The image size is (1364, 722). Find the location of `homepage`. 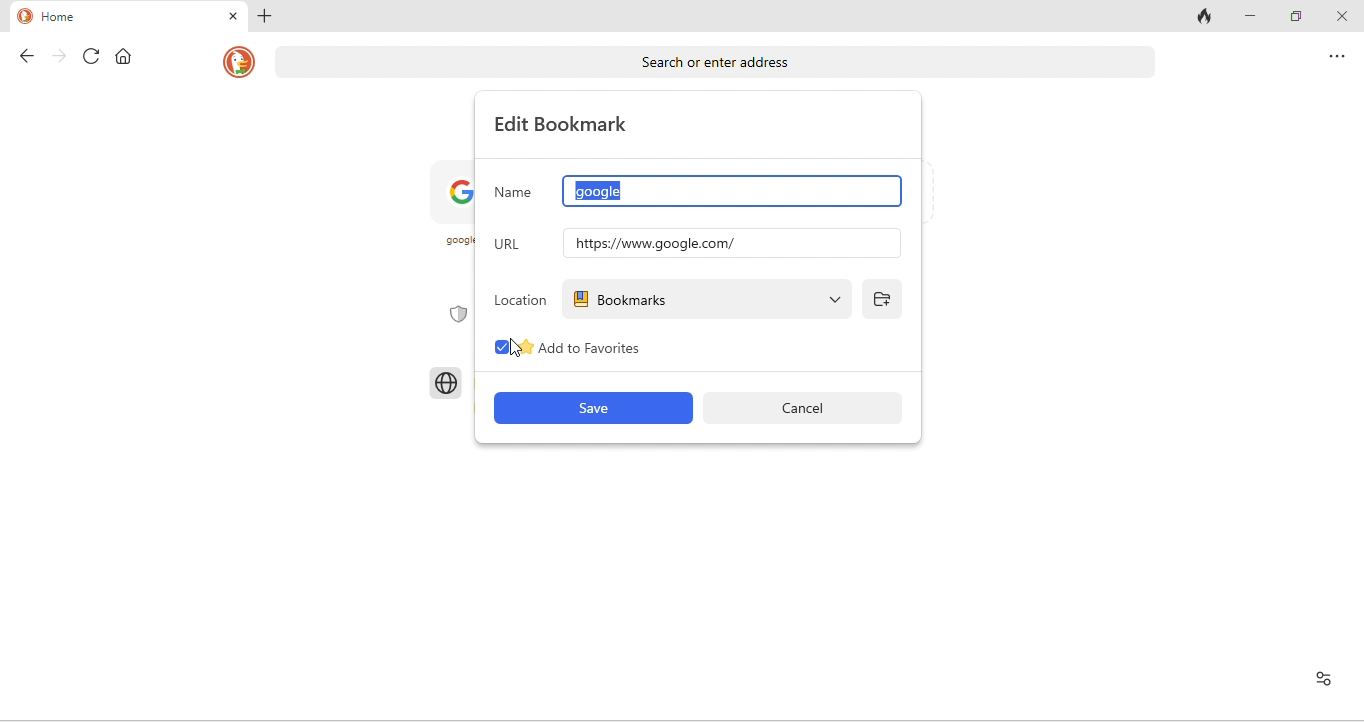

homepage is located at coordinates (236, 64).